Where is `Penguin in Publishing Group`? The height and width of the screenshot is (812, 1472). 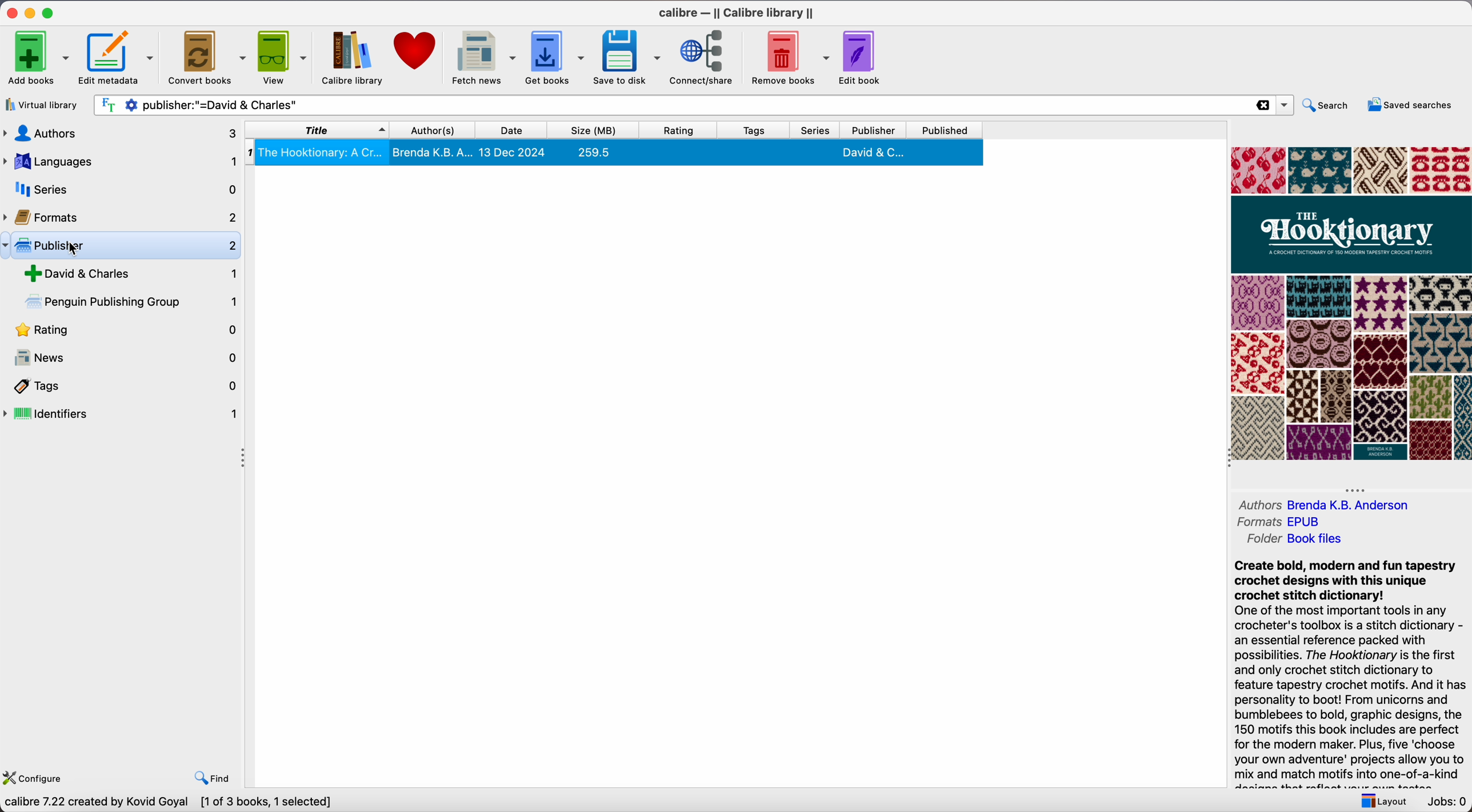 Penguin in Publishing Group is located at coordinates (133, 303).